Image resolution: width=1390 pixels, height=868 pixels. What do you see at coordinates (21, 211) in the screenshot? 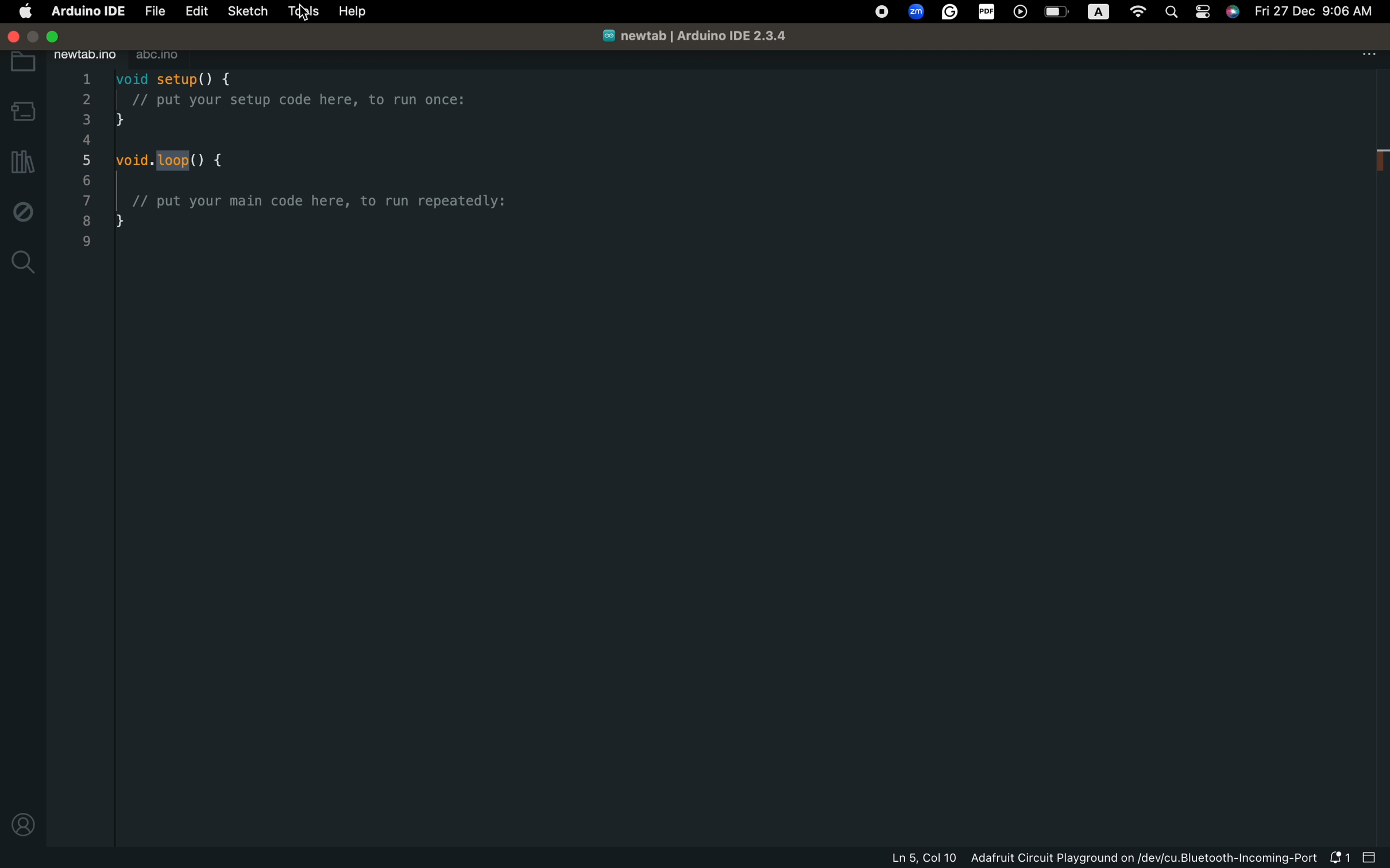
I see `debug` at bounding box center [21, 211].